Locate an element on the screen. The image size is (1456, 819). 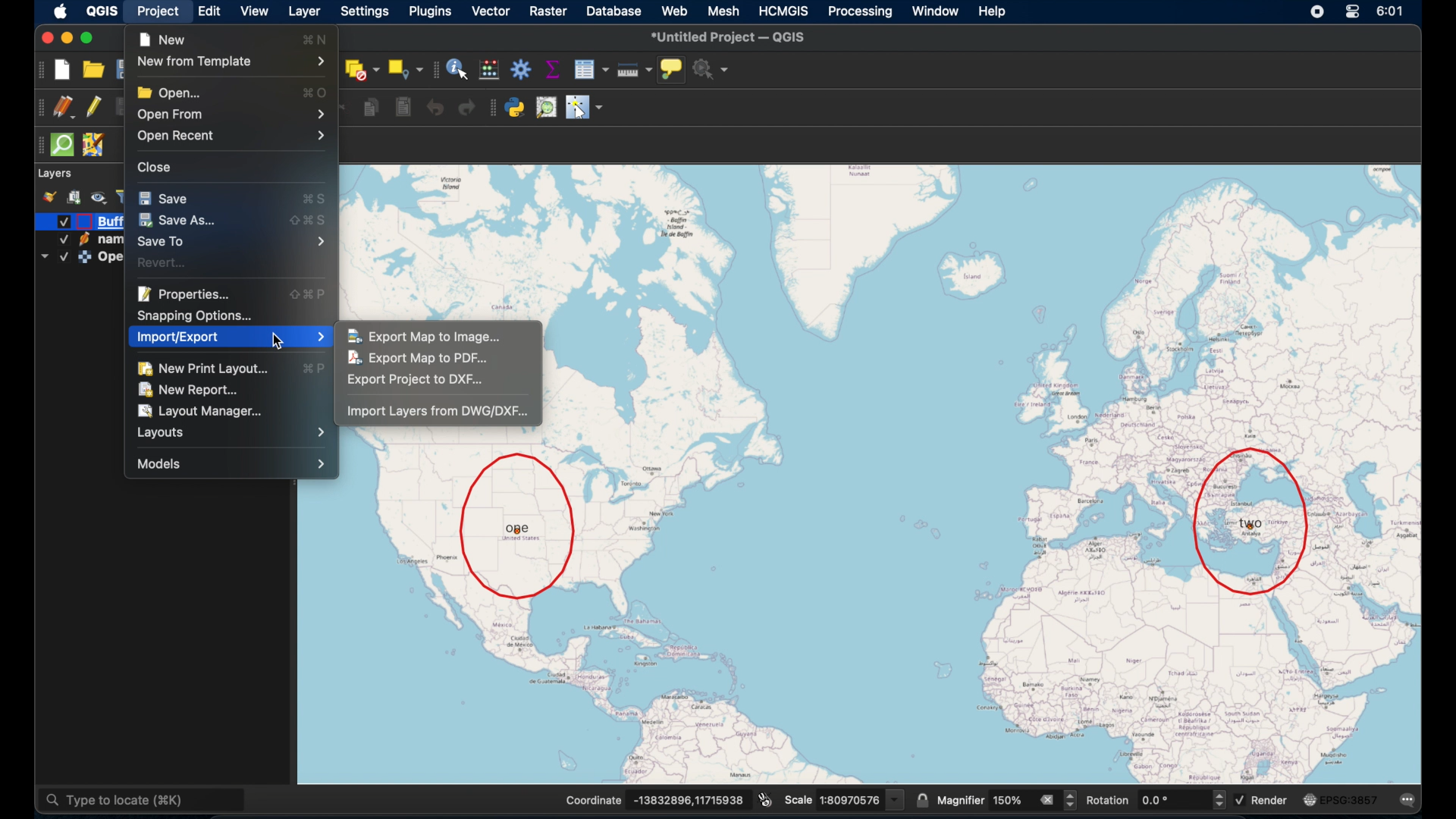
drag handle is located at coordinates (436, 69).